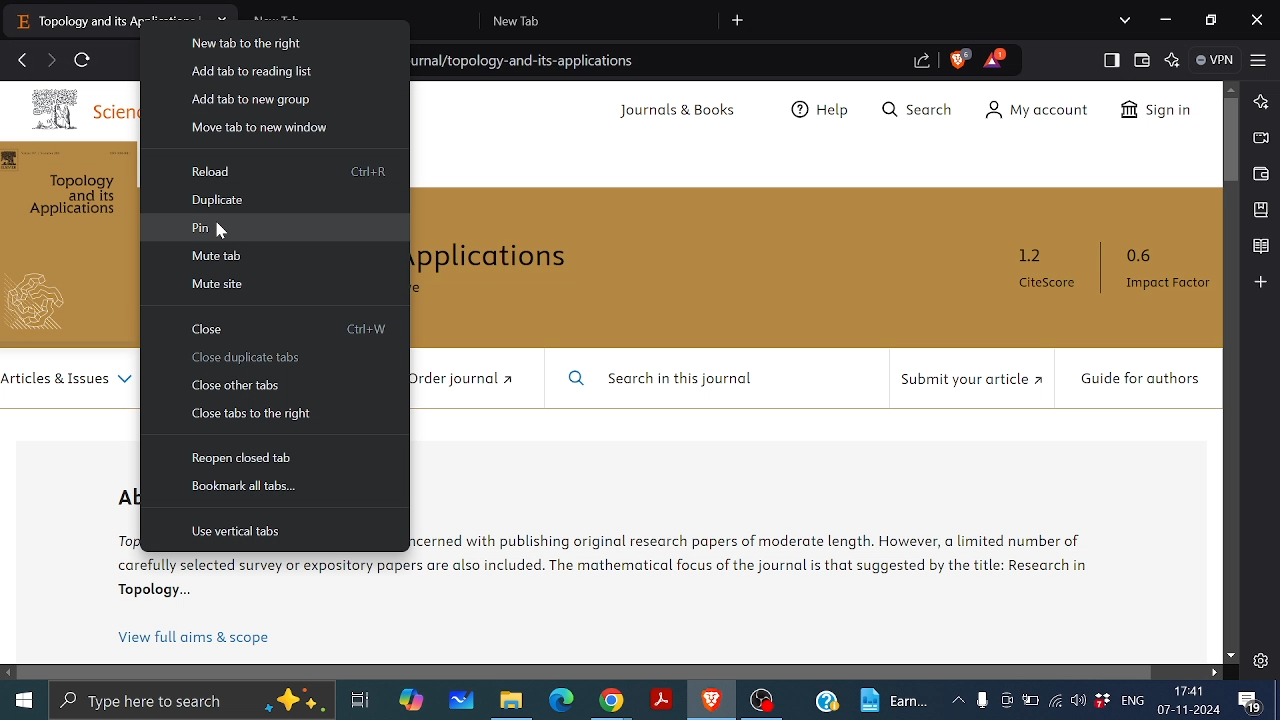 The width and height of the screenshot is (1280, 720). I want to click on cursor, so click(222, 227).